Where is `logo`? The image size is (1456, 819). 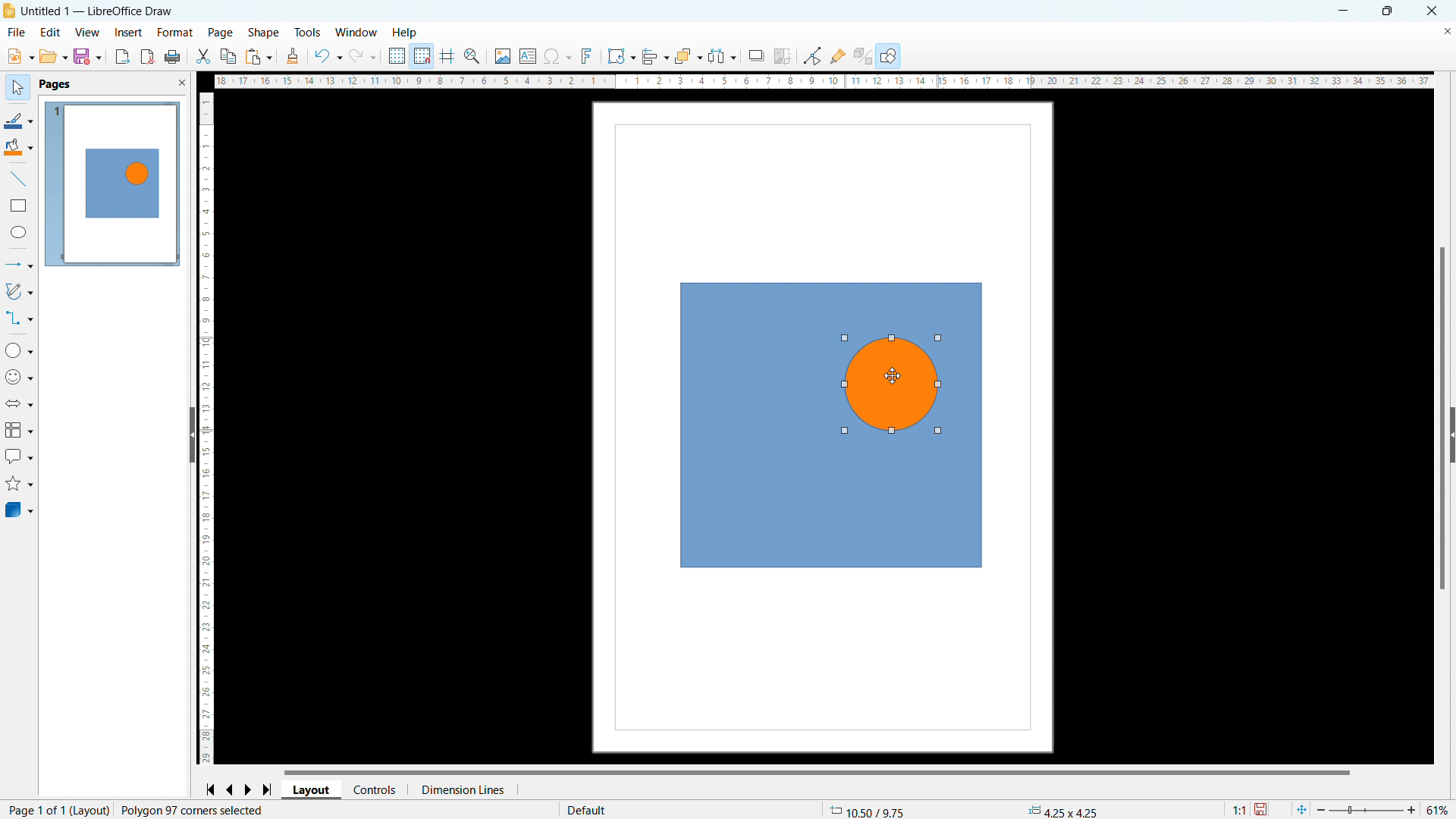
logo is located at coordinates (11, 11).